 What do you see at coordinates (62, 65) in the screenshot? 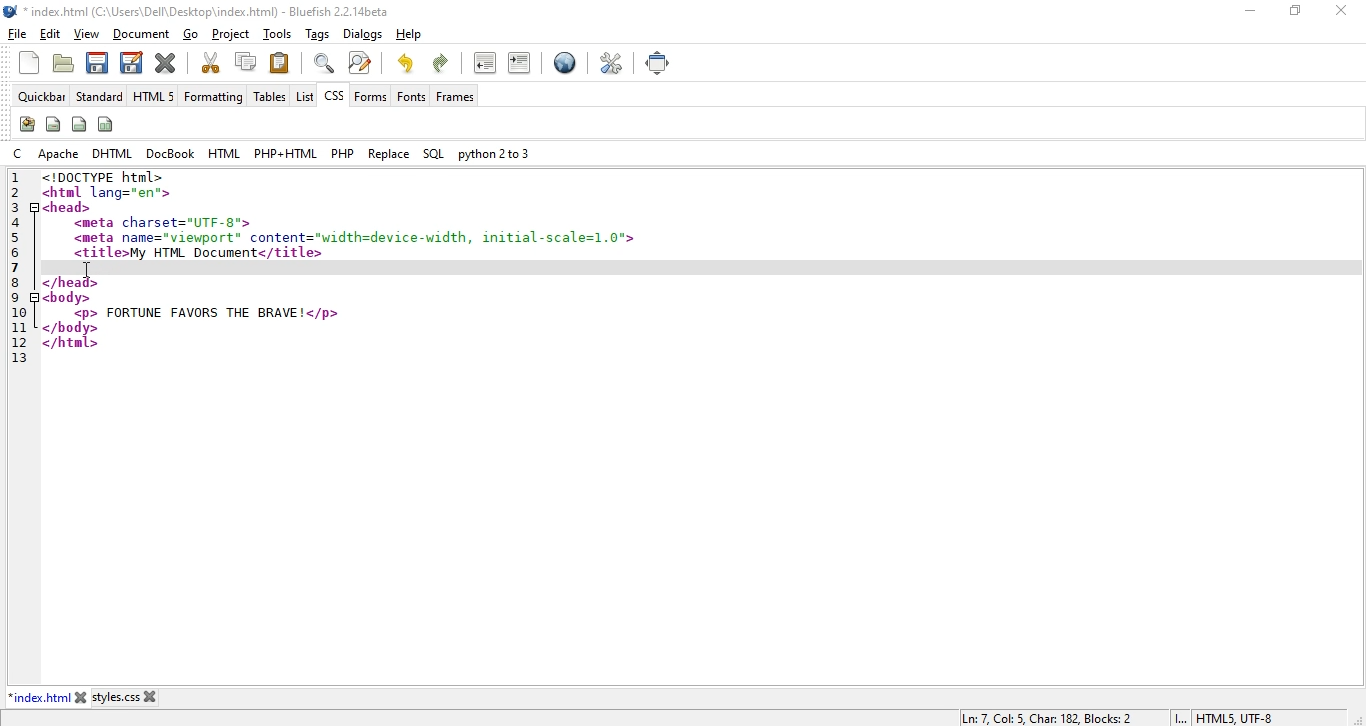
I see `open file` at bounding box center [62, 65].